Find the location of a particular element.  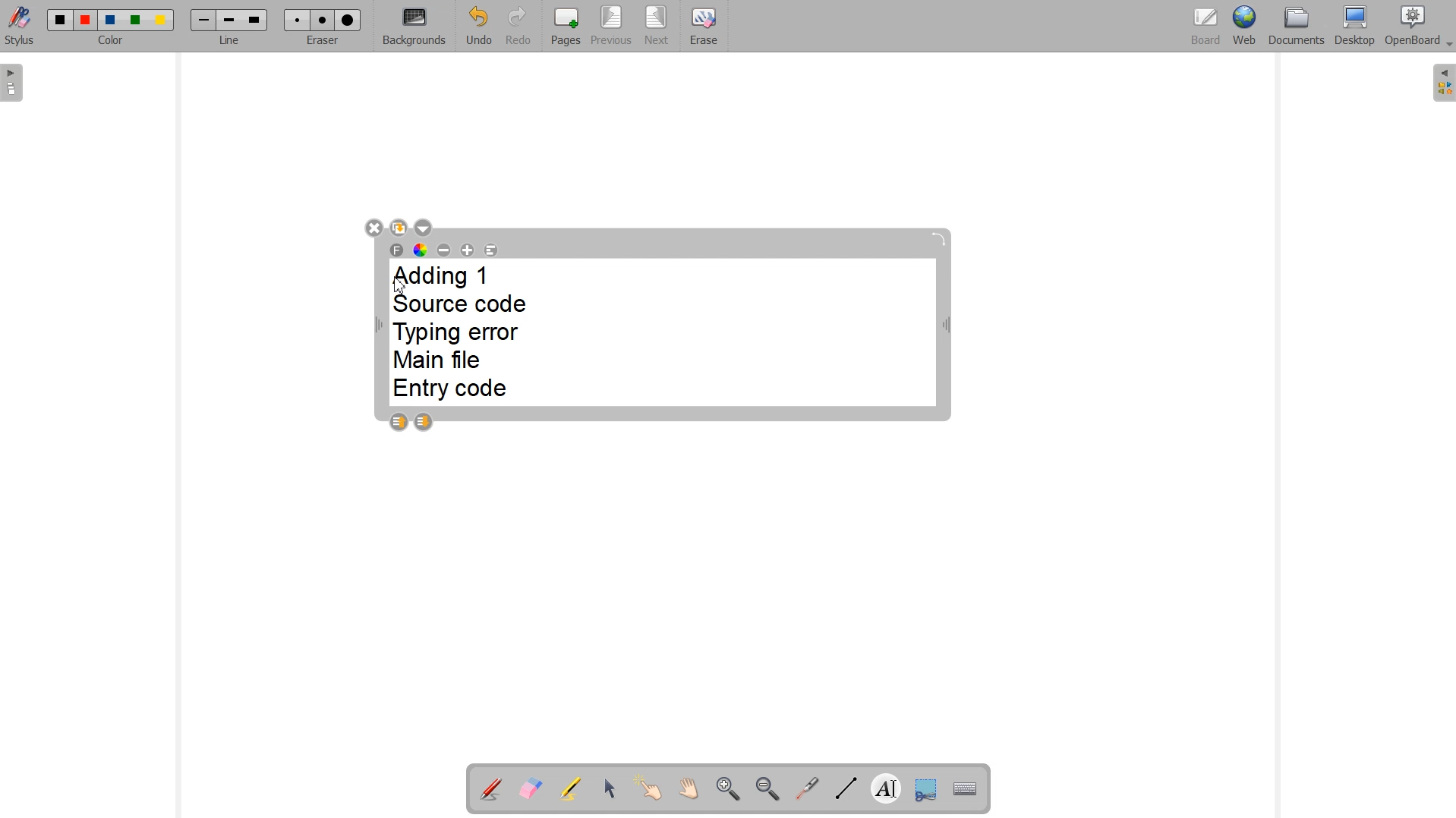

OpenBoard is located at coordinates (1420, 27).